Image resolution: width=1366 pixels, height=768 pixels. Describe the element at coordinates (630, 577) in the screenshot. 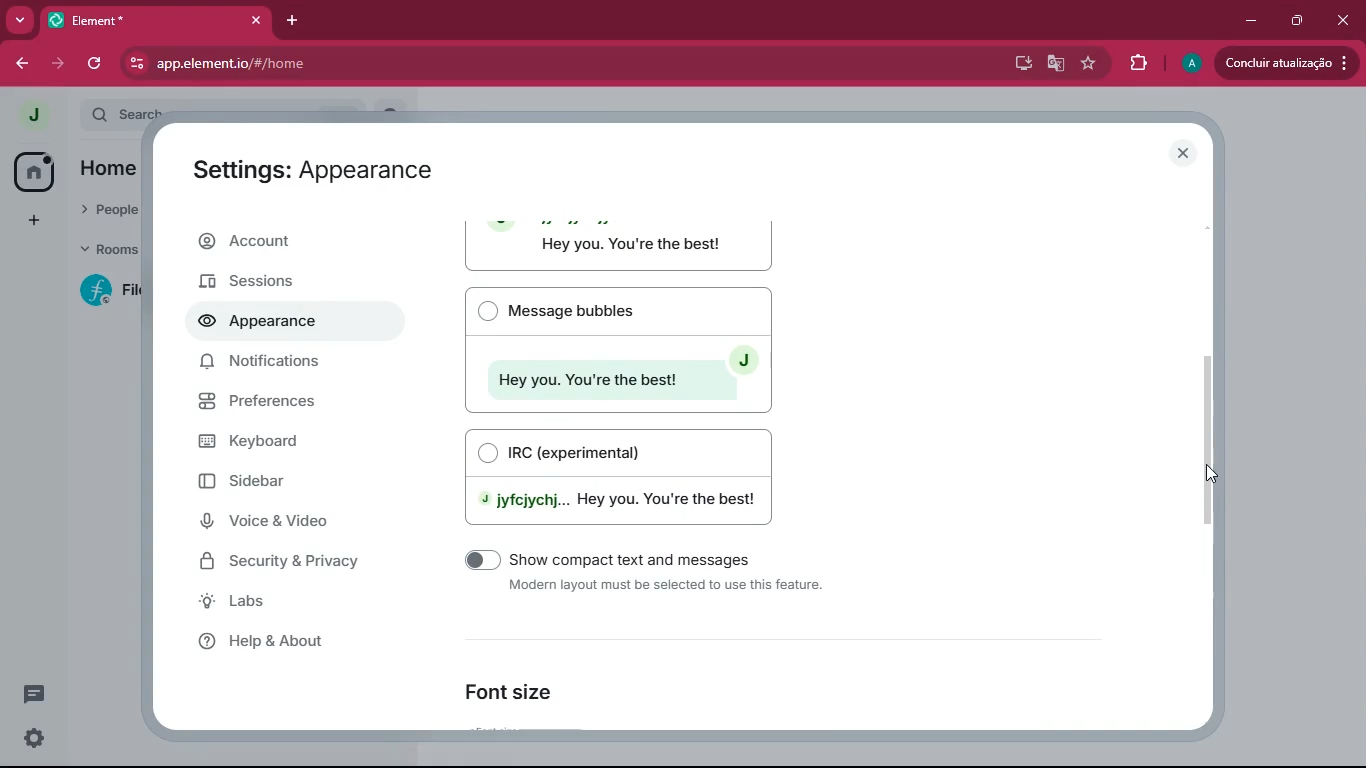

I see `show compact` at that location.